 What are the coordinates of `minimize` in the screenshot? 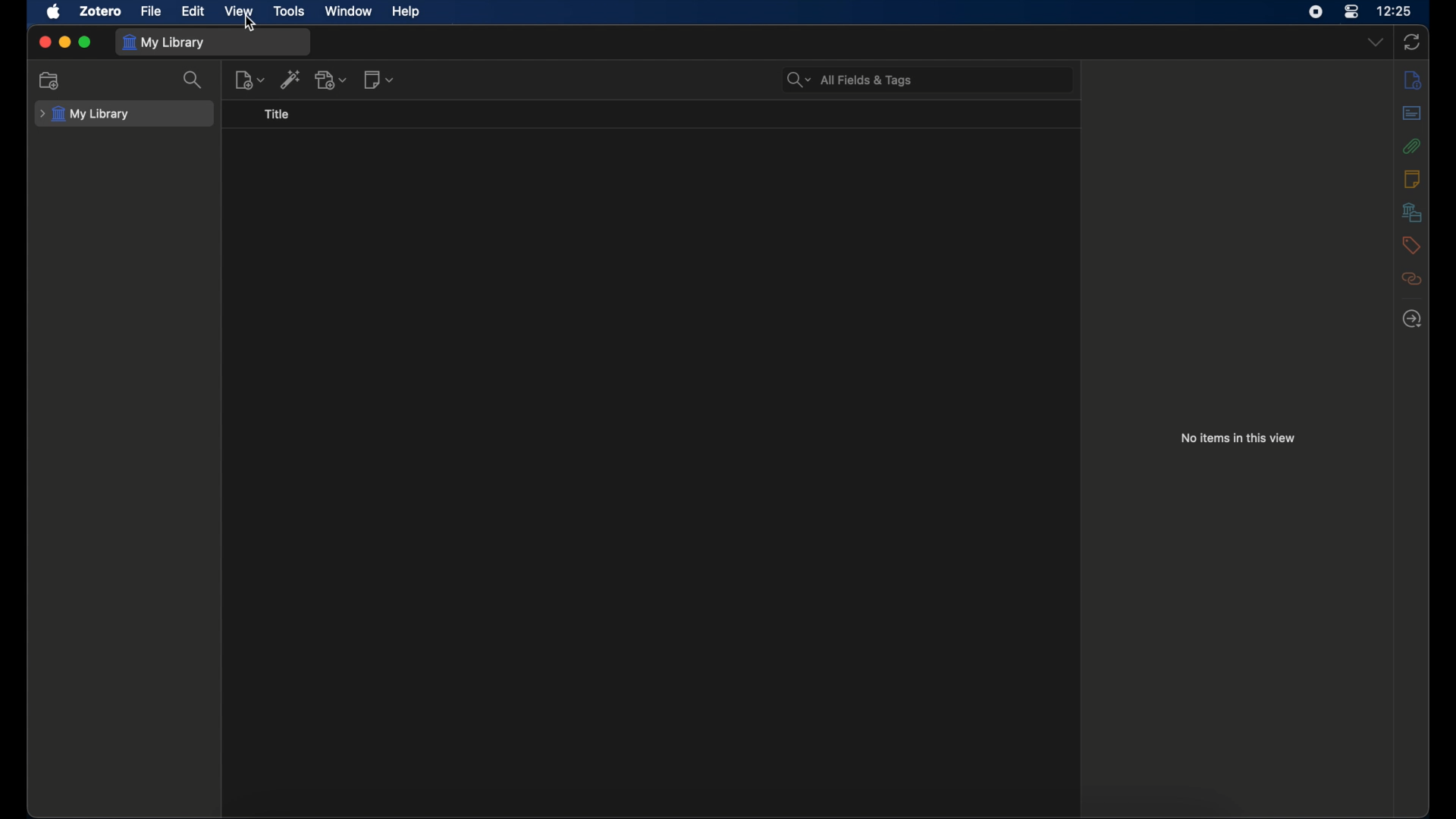 It's located at (64, 42).